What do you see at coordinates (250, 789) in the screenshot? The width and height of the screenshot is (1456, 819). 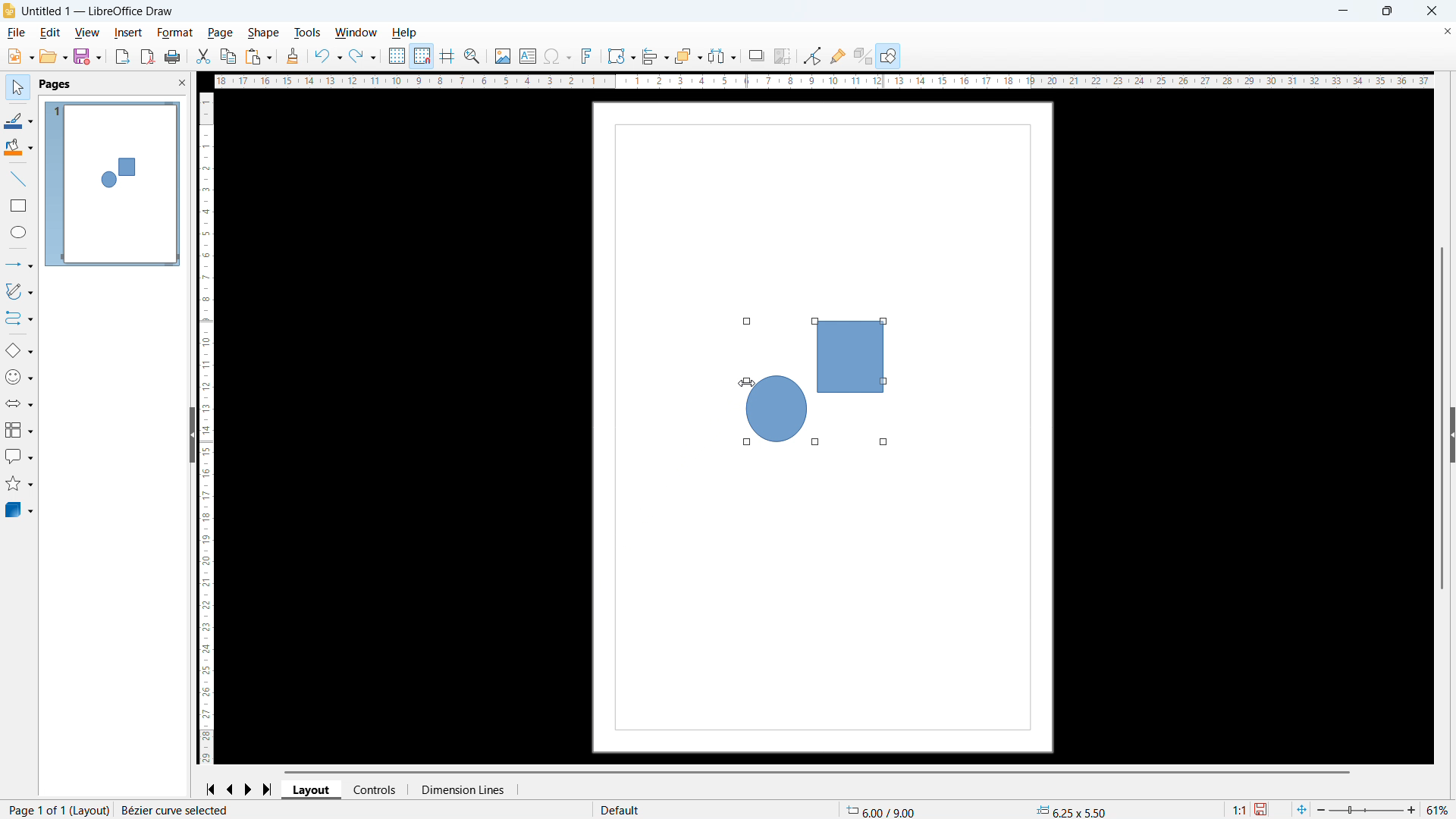 I see `Next page ` at bounding box center [250, 789].